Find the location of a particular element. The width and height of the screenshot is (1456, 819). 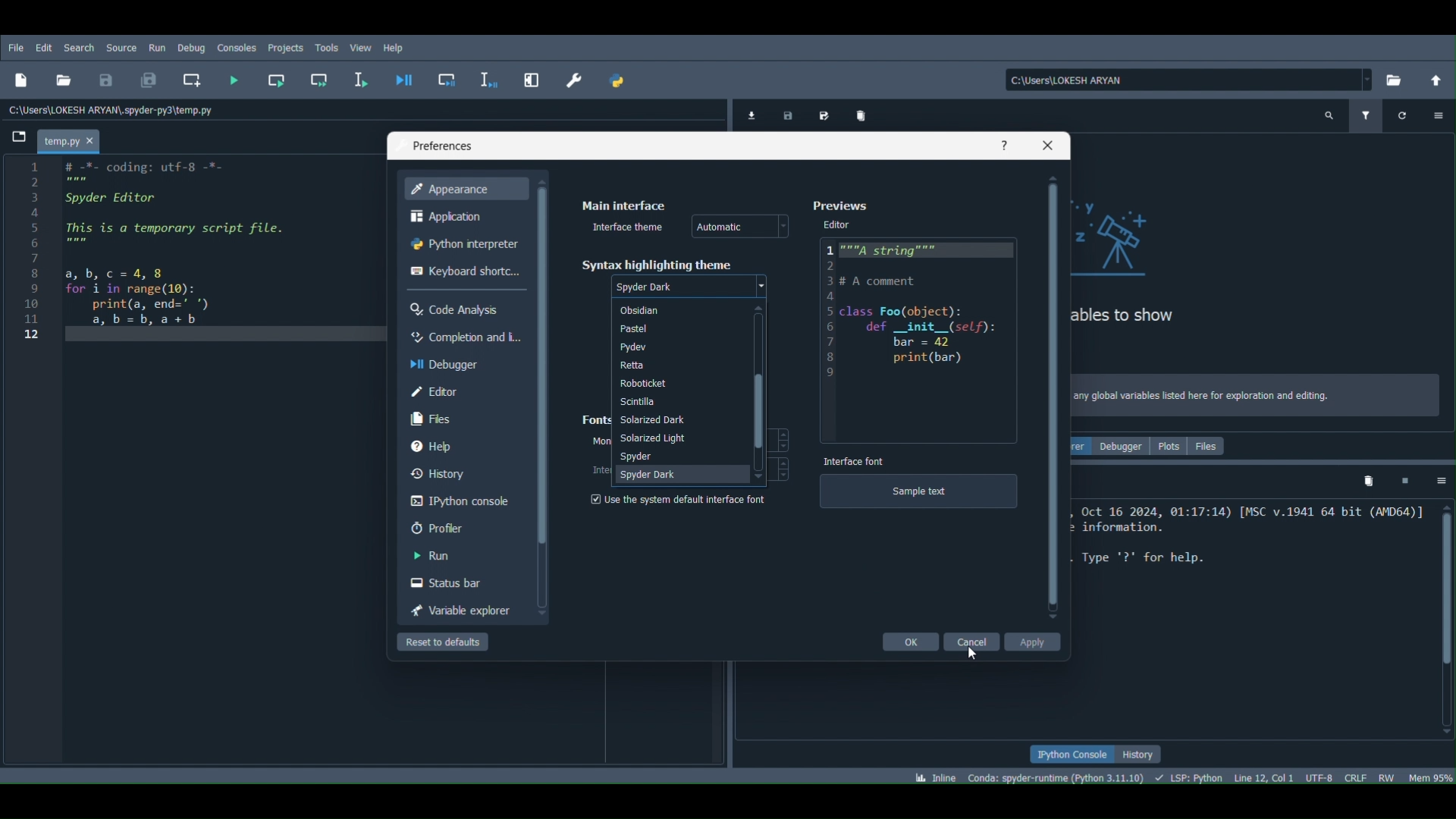

Scrollbar is located at coordinates (1442, 623).